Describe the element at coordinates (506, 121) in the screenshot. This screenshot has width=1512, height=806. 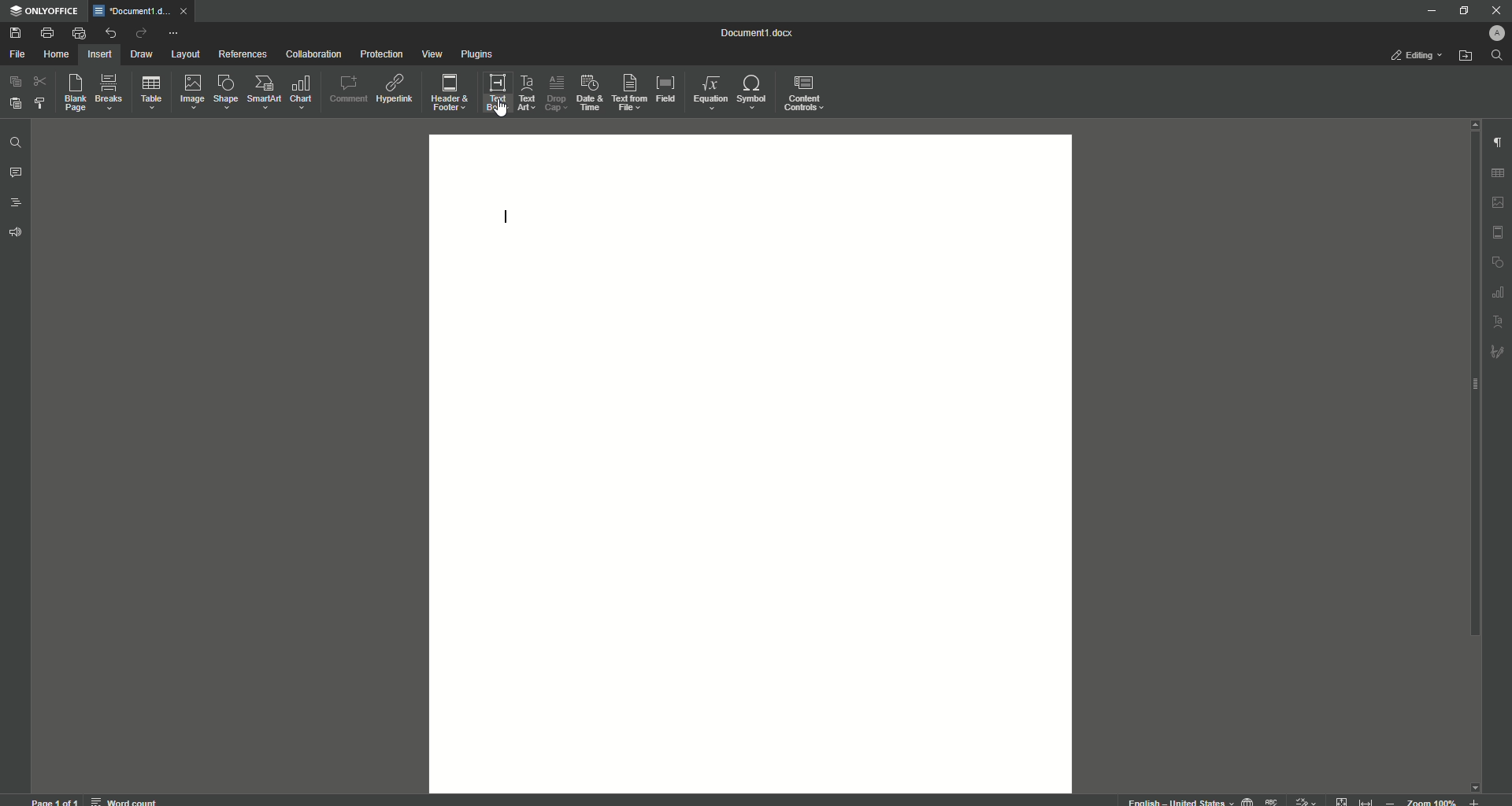
I see `cursor` at that location.